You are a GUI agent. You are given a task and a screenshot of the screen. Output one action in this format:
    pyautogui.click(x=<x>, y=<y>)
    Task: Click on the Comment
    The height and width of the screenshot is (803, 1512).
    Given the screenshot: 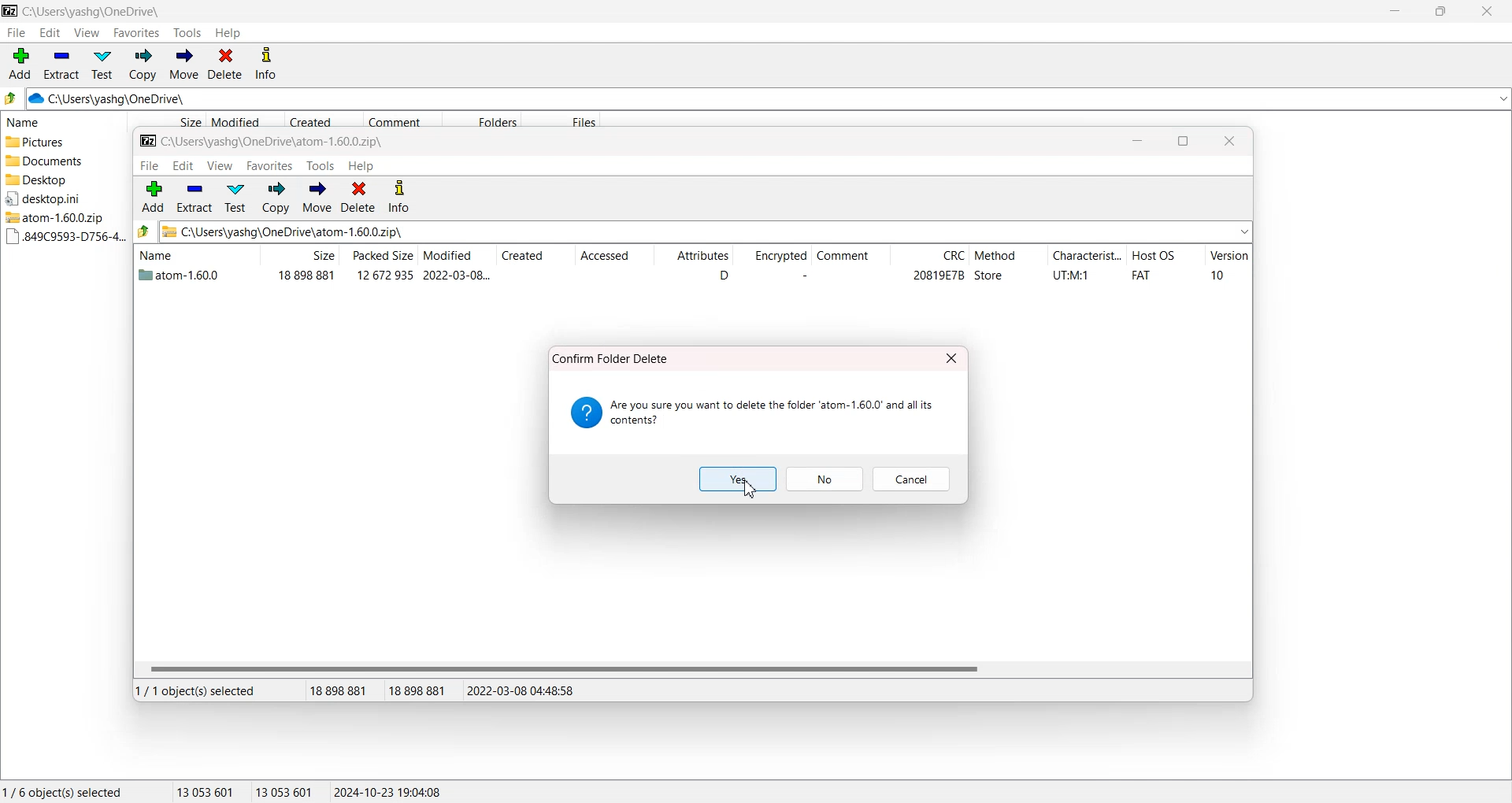 What is the action you would take?
    pyautogui.click(x=402, y=120)
    